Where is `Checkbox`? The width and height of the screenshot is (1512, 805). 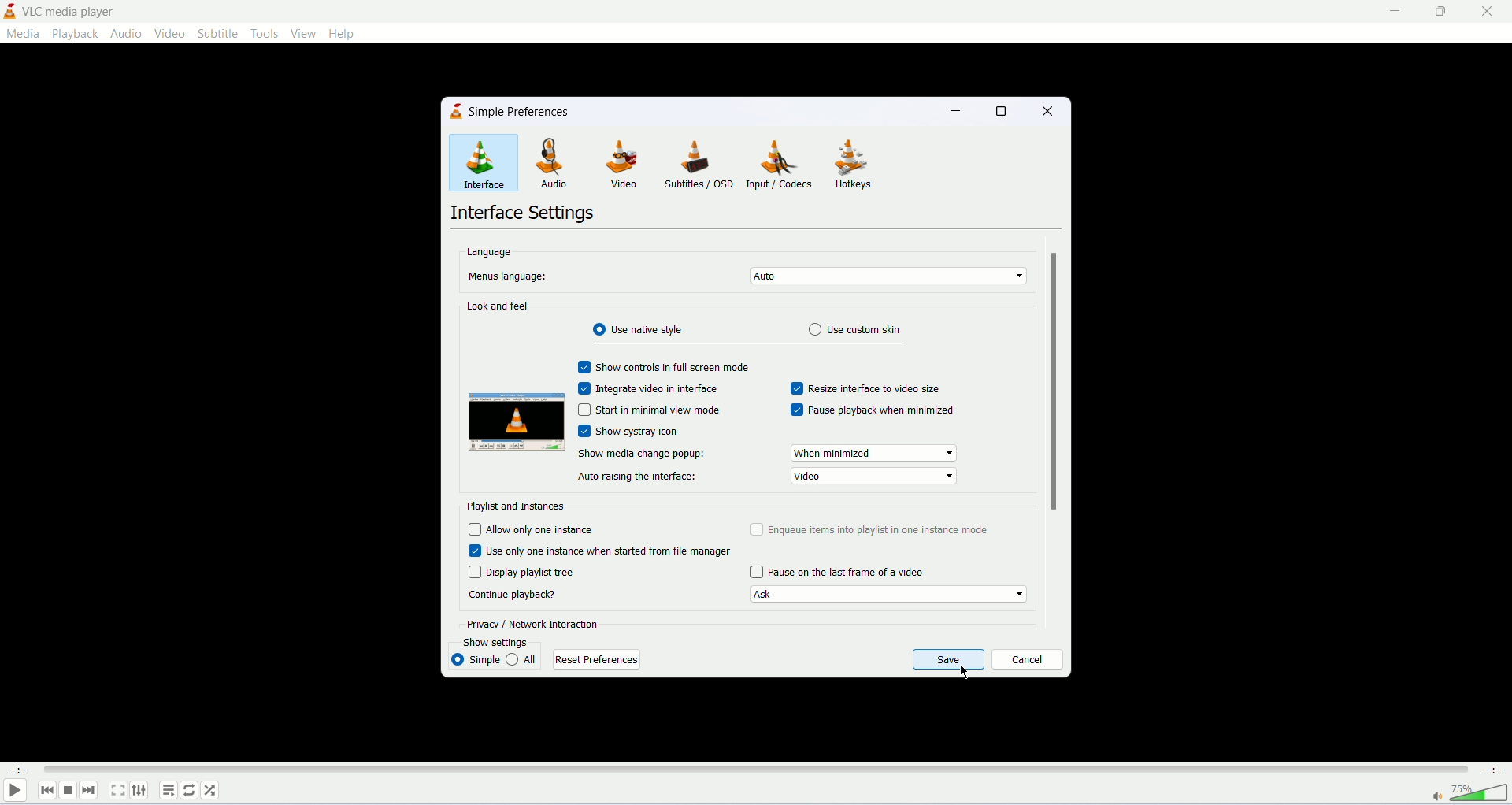 Checkbox is located at coordinates (756, 572).